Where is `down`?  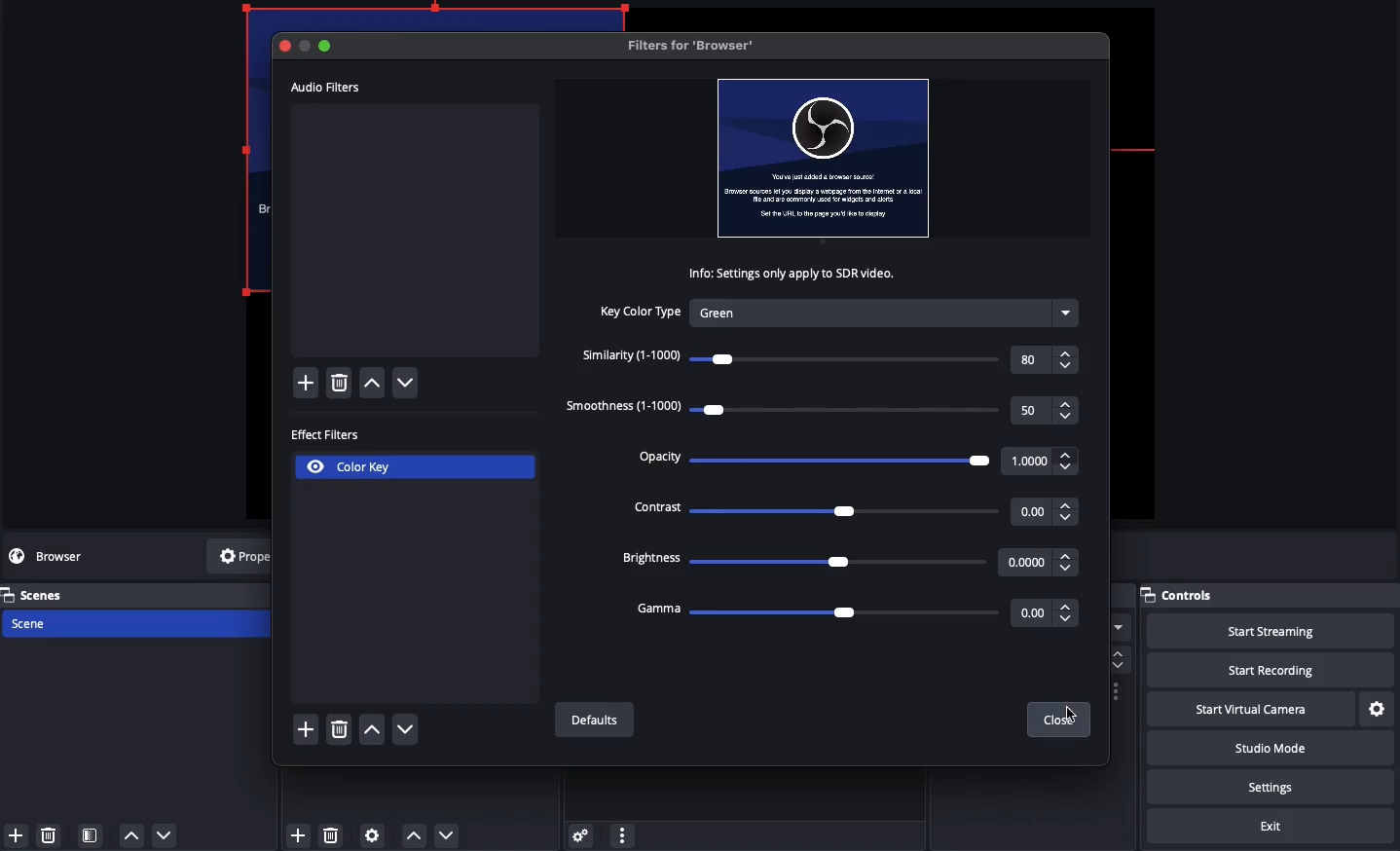
down is located at coordinates (410, 385).